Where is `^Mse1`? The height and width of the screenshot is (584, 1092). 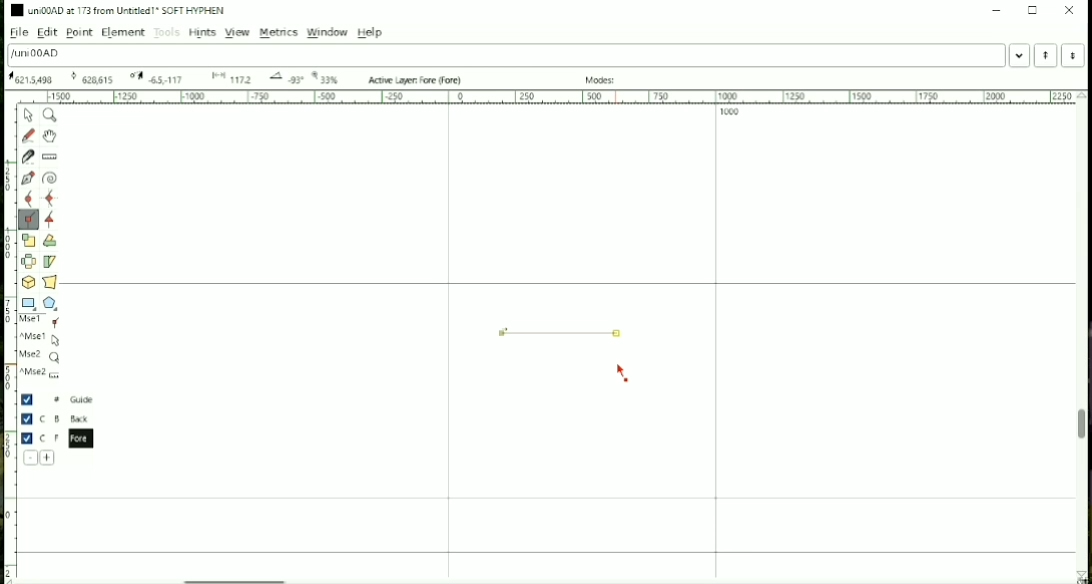
^Mse1 is located at coordinates (42, 339).